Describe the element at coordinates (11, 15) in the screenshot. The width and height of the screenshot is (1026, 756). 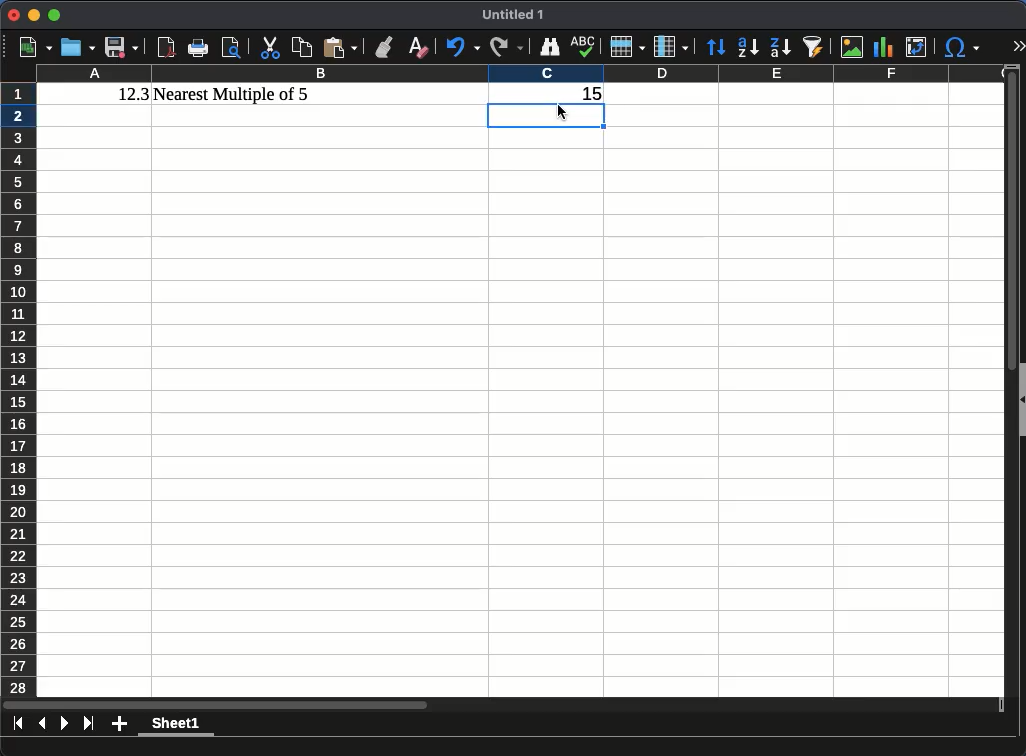
I see `close` at that location.